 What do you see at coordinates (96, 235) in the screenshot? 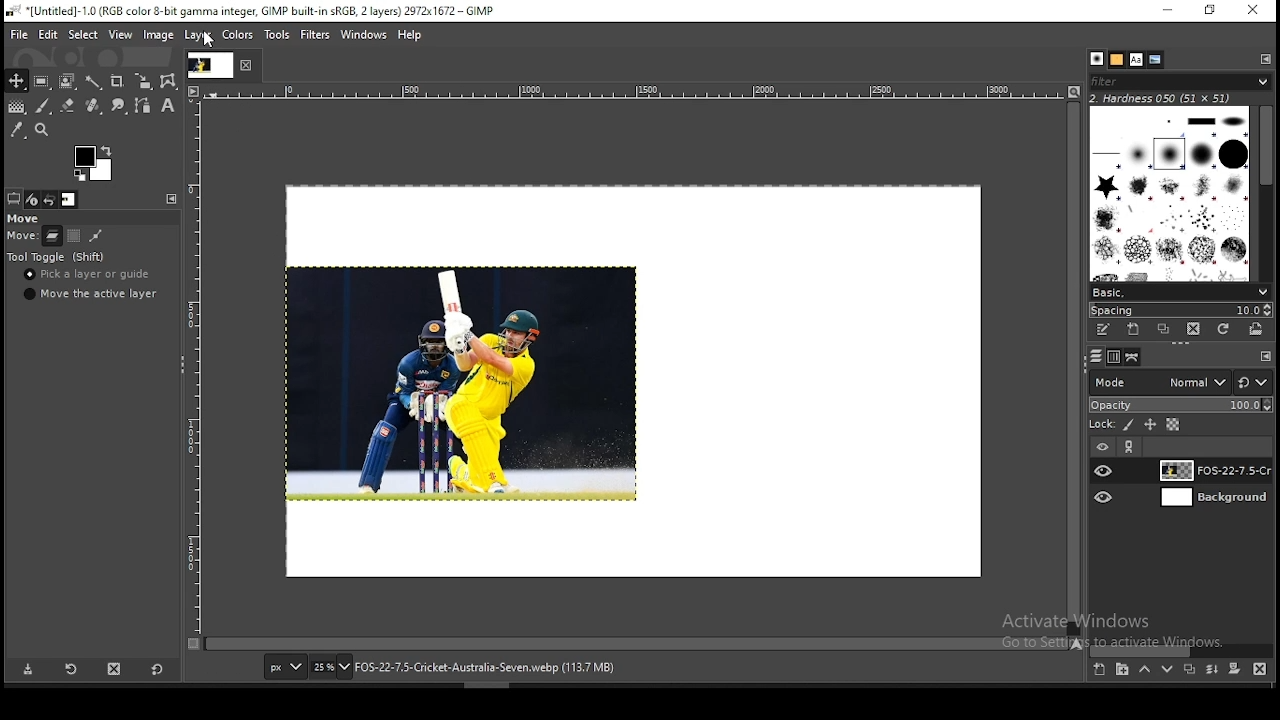
I see `move paths` at bounding box center [96, 235].